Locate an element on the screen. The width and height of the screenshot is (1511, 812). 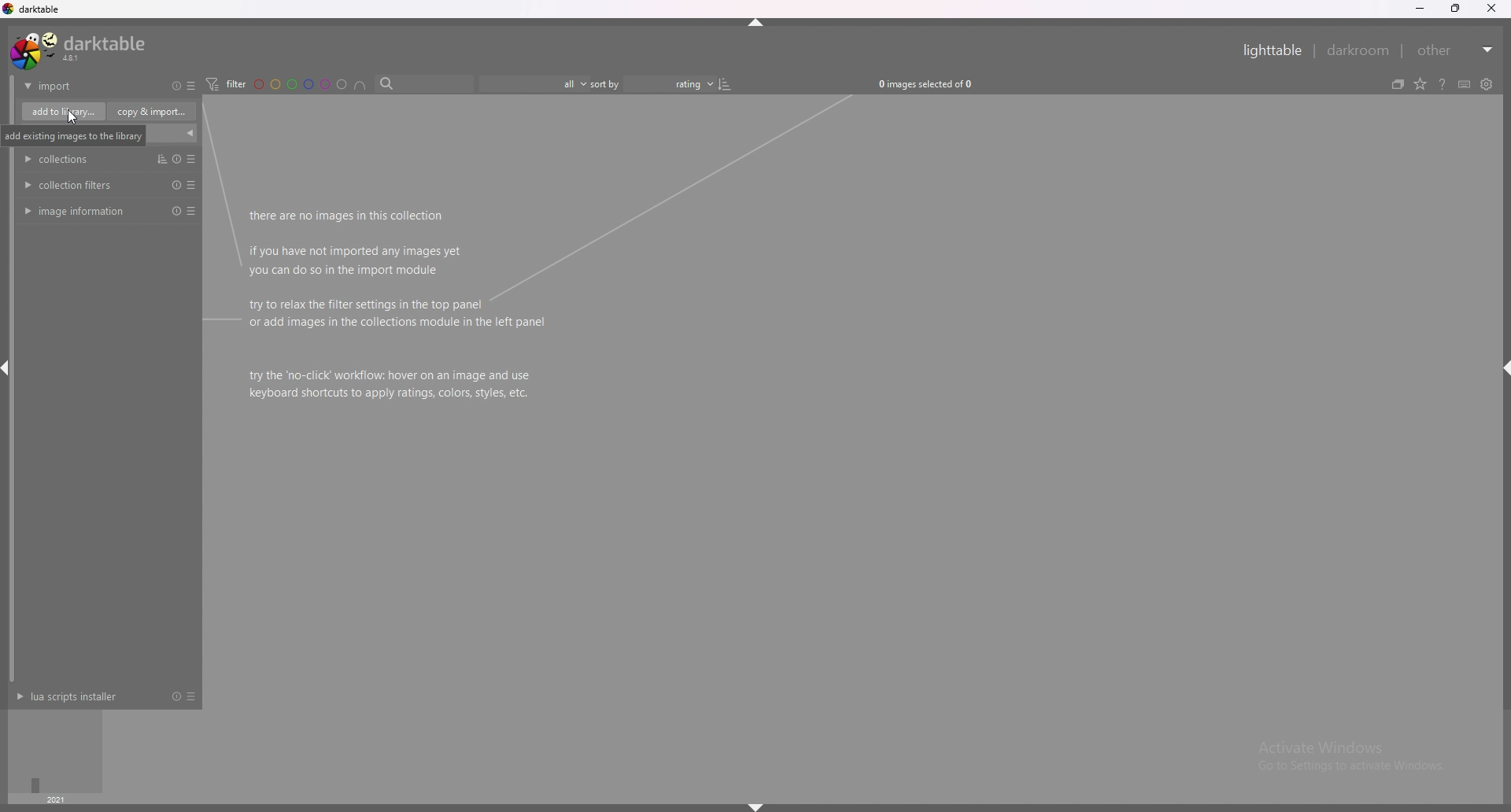
year is located at coordinates (55, 799).